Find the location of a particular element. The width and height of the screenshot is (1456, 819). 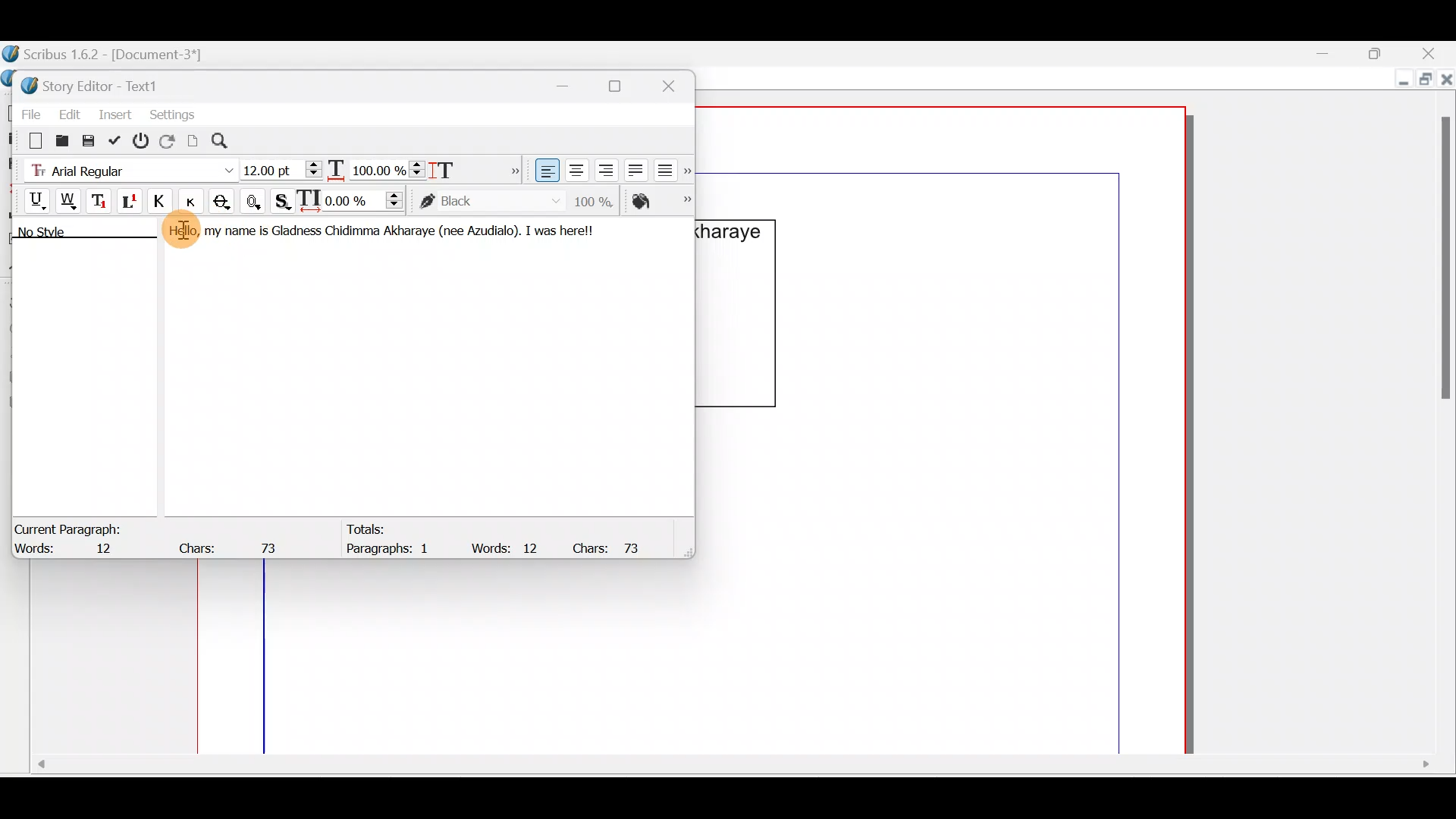

No style is located at coordinates (58, 234).